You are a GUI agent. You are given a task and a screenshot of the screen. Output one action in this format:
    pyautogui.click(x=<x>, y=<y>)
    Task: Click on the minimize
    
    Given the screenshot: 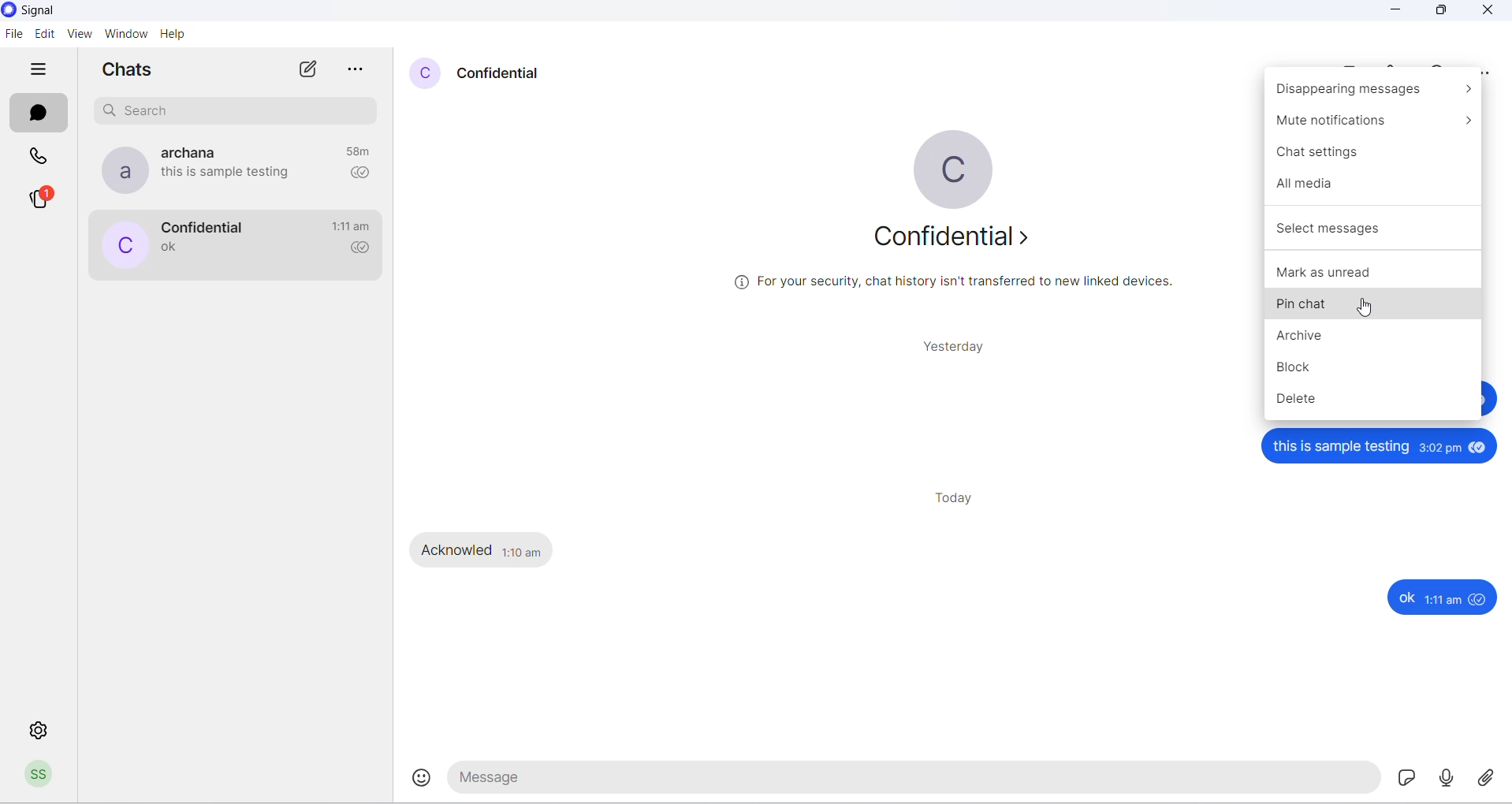 What is the action you would take?
    pyautogui.click(x=1394, y=13)
    